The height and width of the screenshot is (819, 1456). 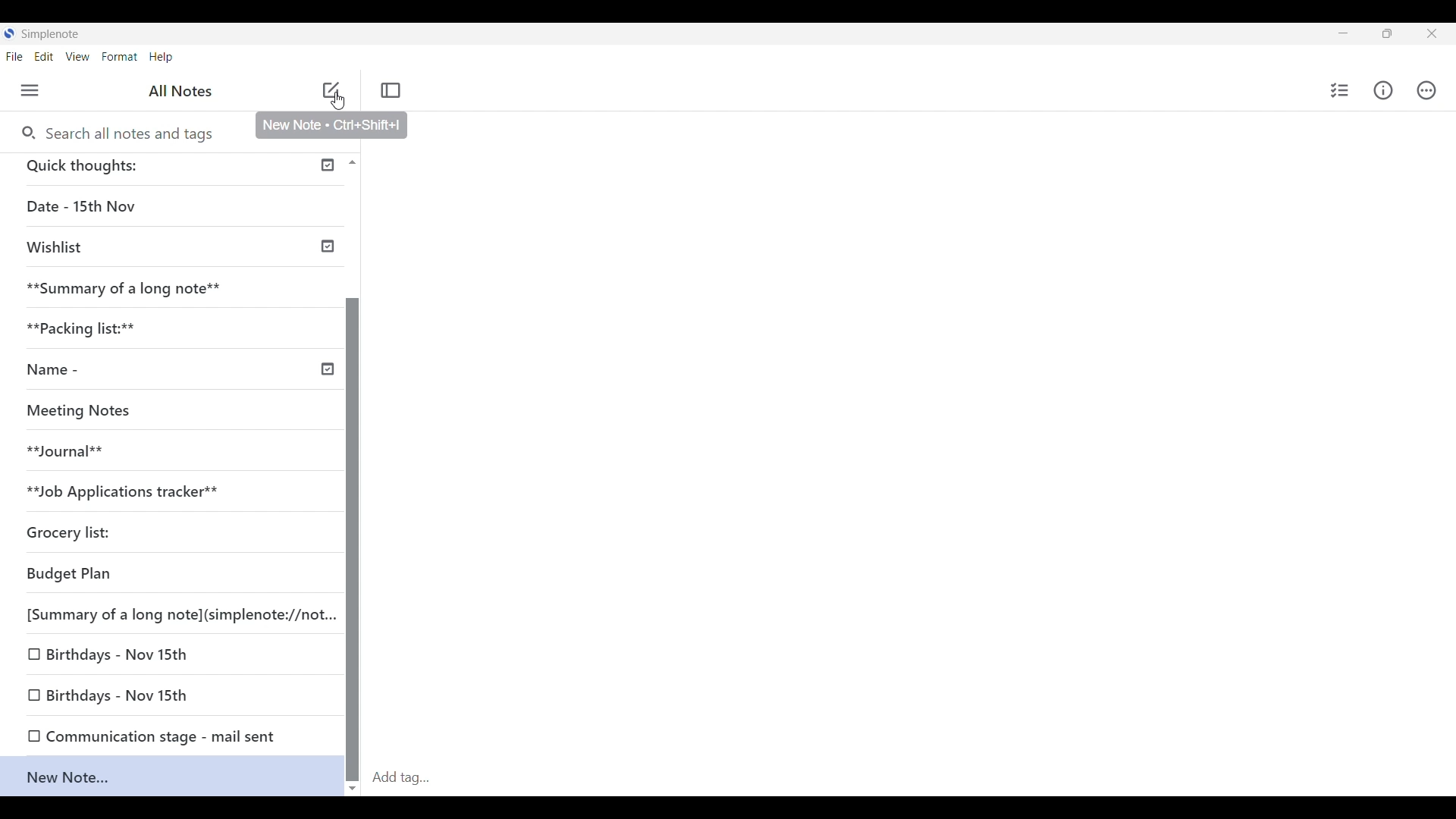 I want to click on Cursor, so click(x=337, y=105).